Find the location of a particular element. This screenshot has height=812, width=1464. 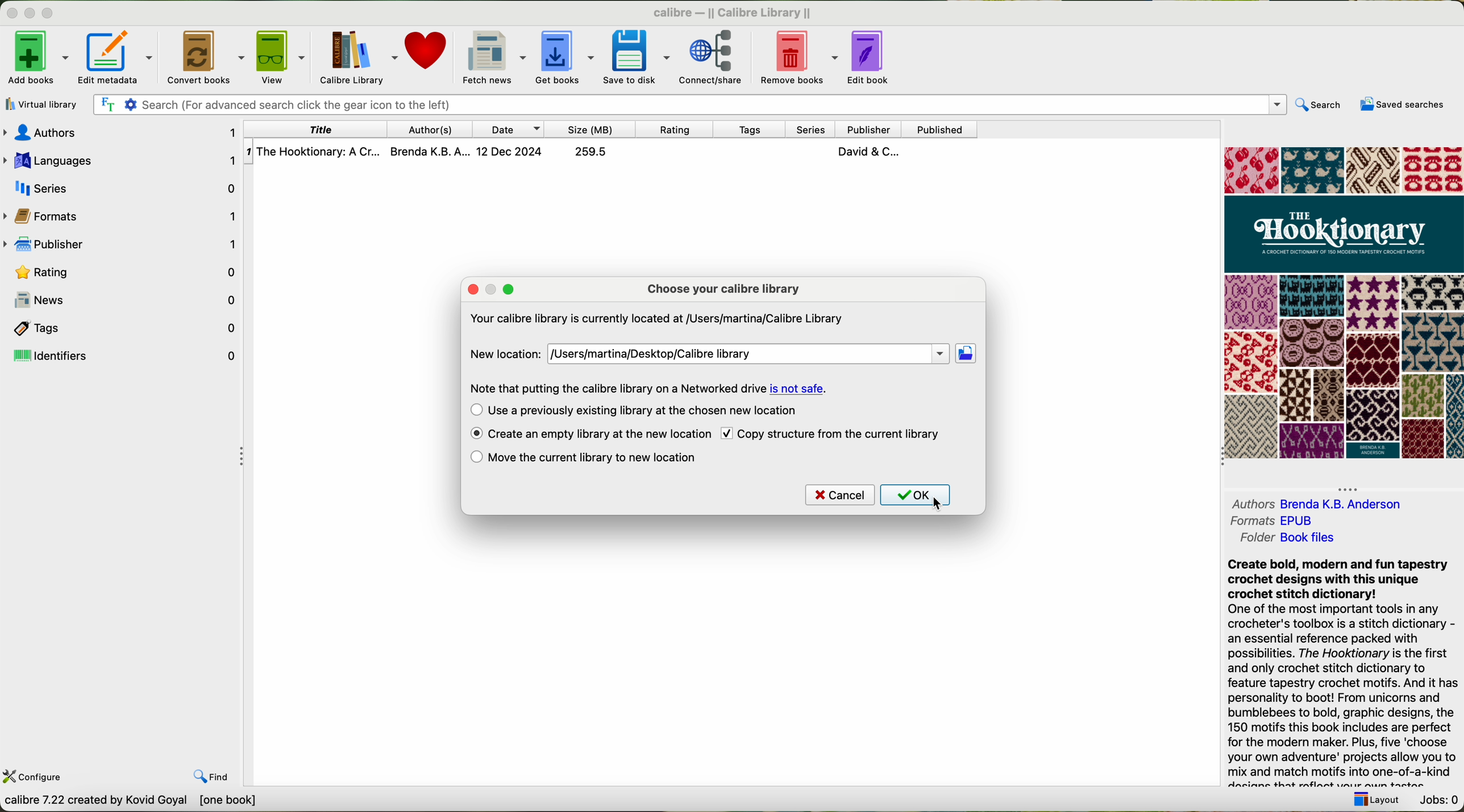

minimize is located at coordinates (491, 286).